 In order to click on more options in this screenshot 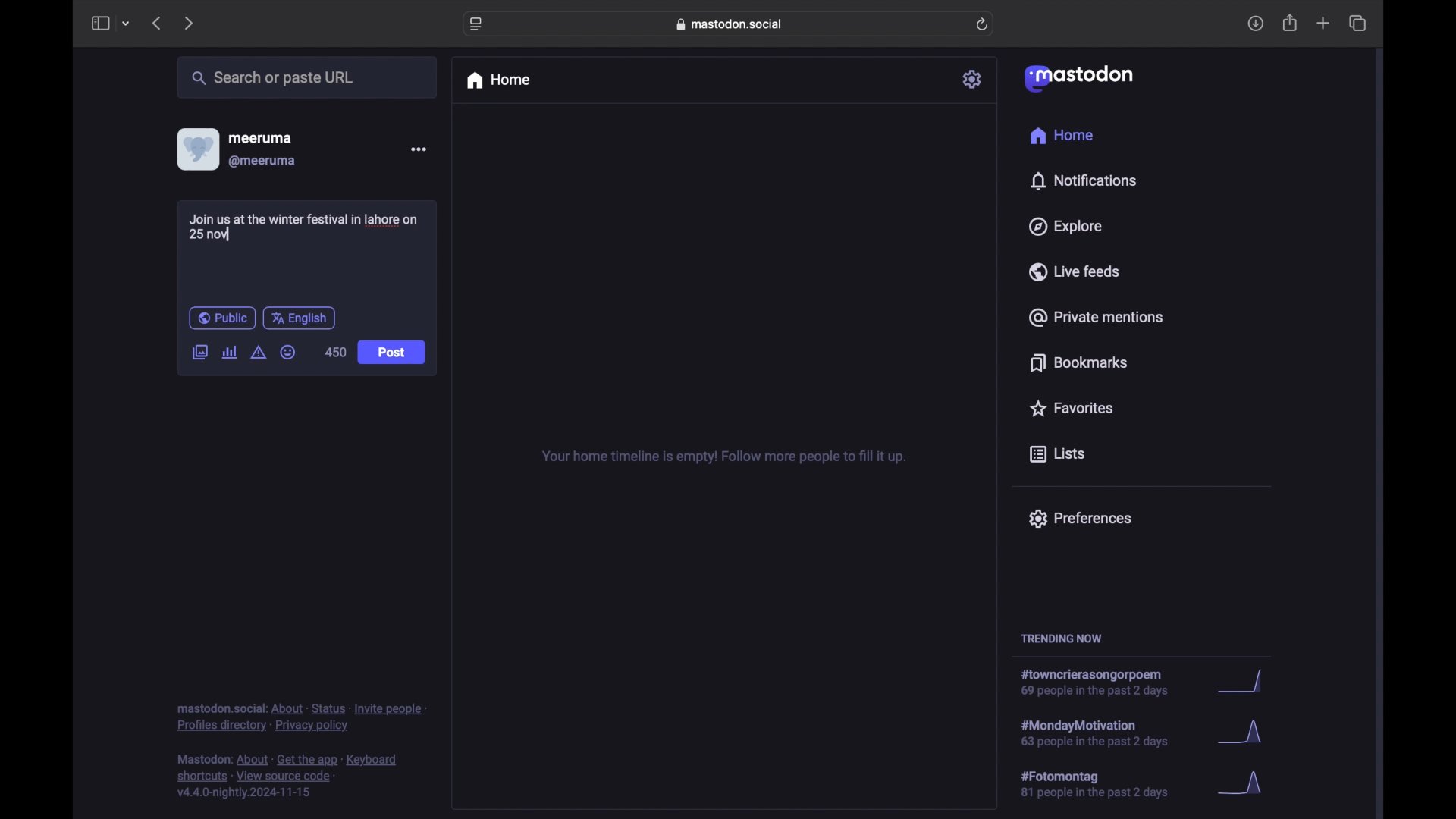, I will do `click(419, 149)`.